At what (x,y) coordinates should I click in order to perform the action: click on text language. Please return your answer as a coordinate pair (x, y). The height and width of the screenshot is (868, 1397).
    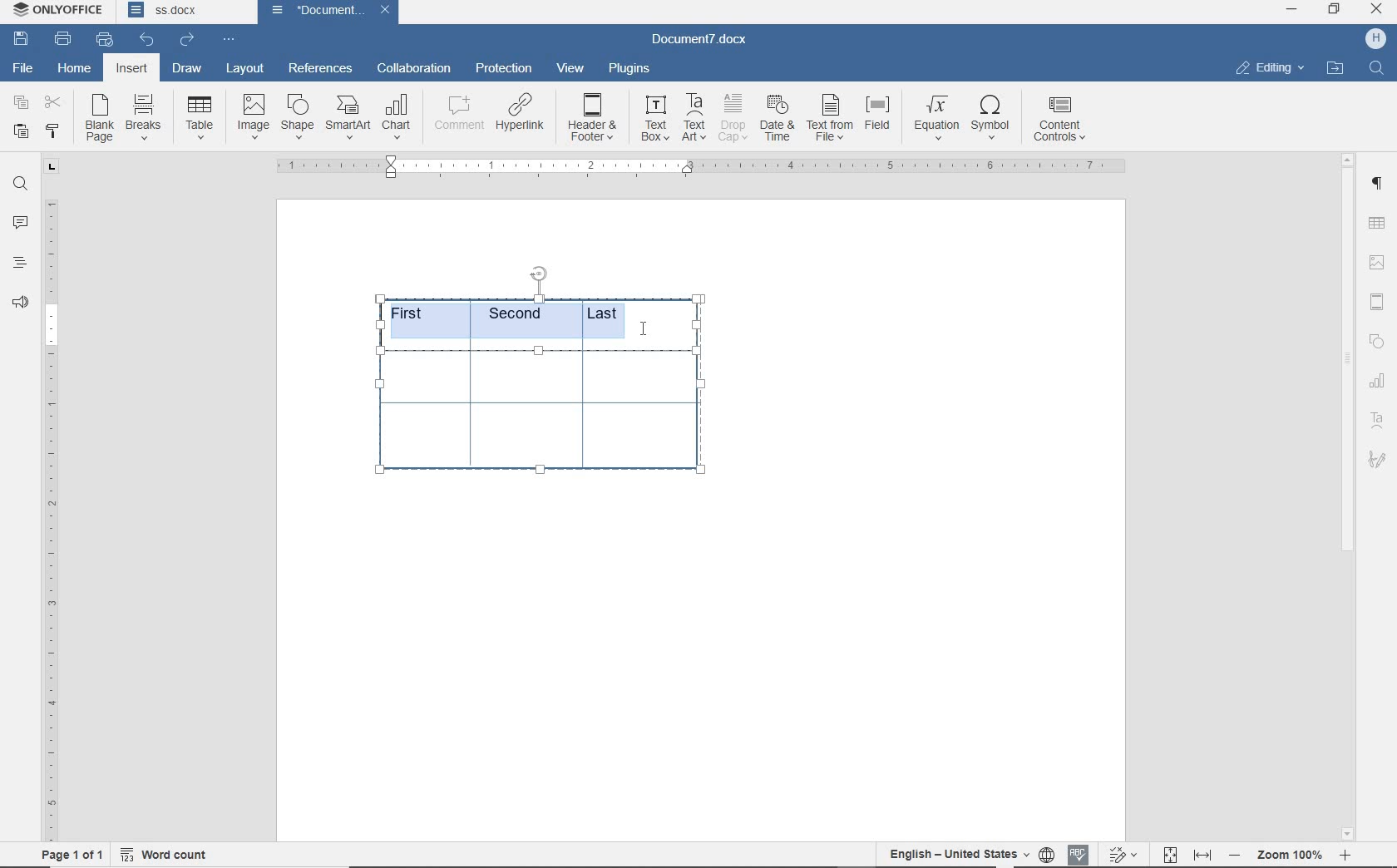
    Looking at the image, I should click on (959, 852).